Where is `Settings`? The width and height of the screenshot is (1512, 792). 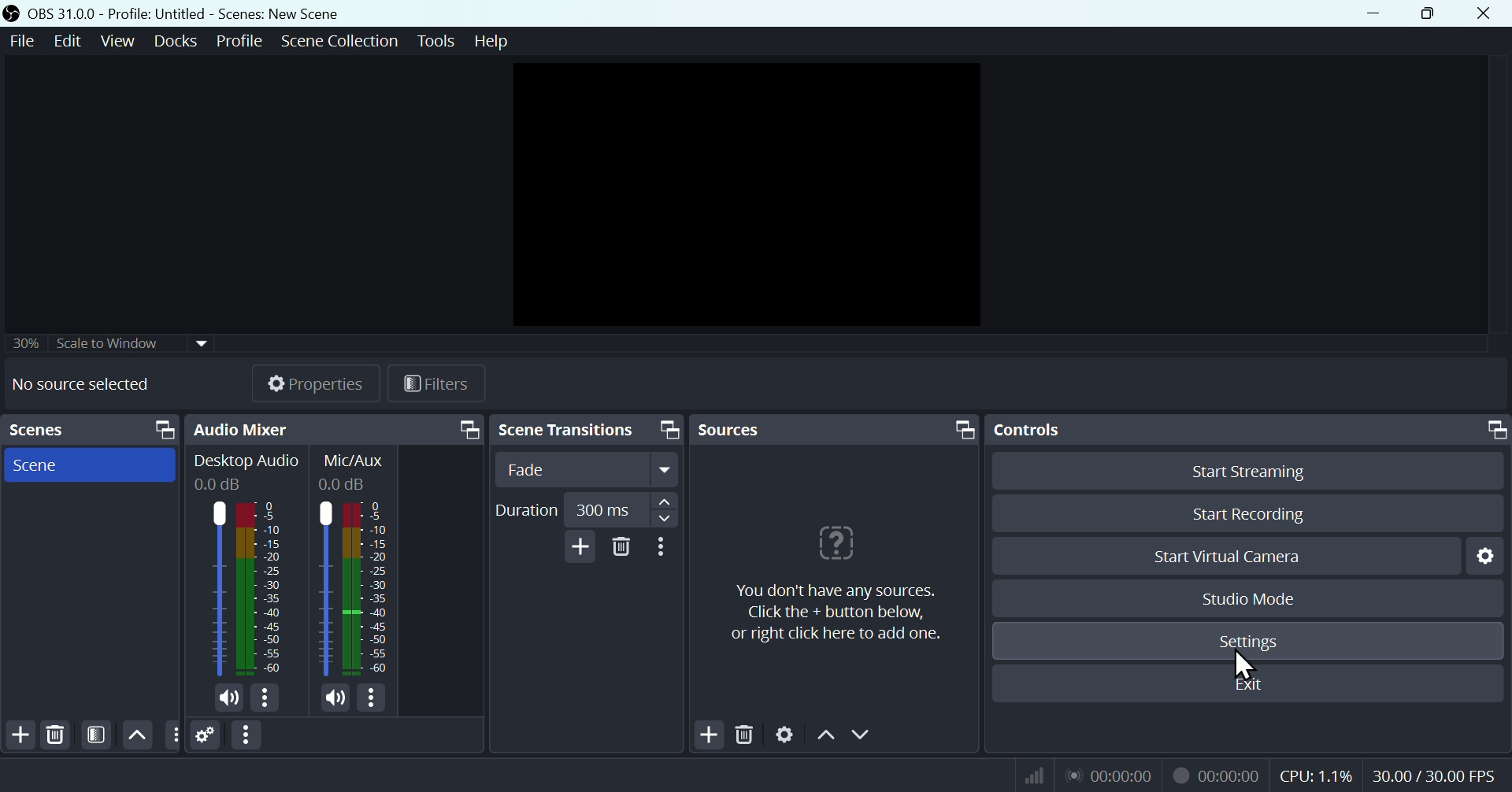 Settings is located at coordinates (1246, 642).